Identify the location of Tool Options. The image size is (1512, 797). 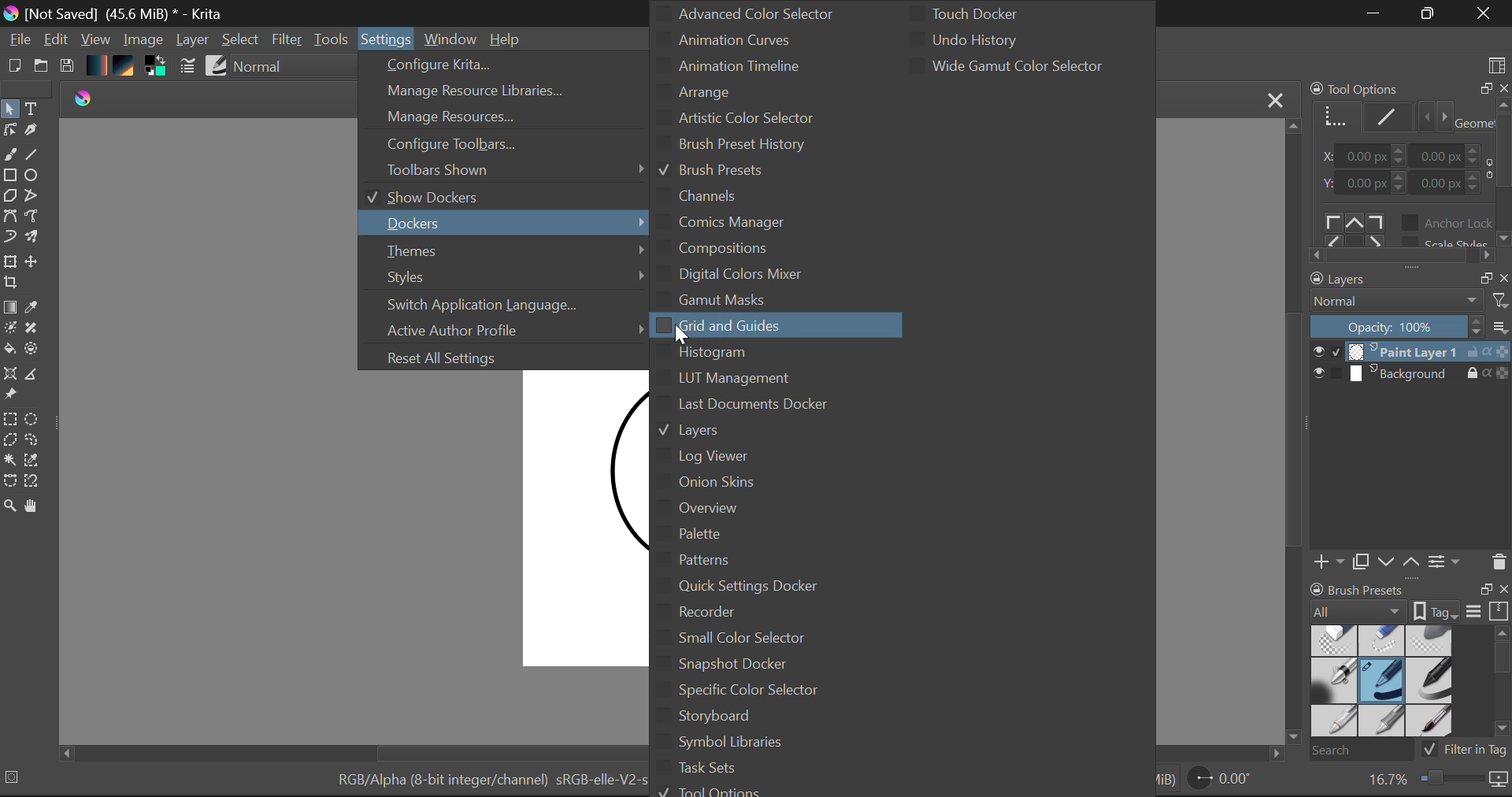
(1408, 173).